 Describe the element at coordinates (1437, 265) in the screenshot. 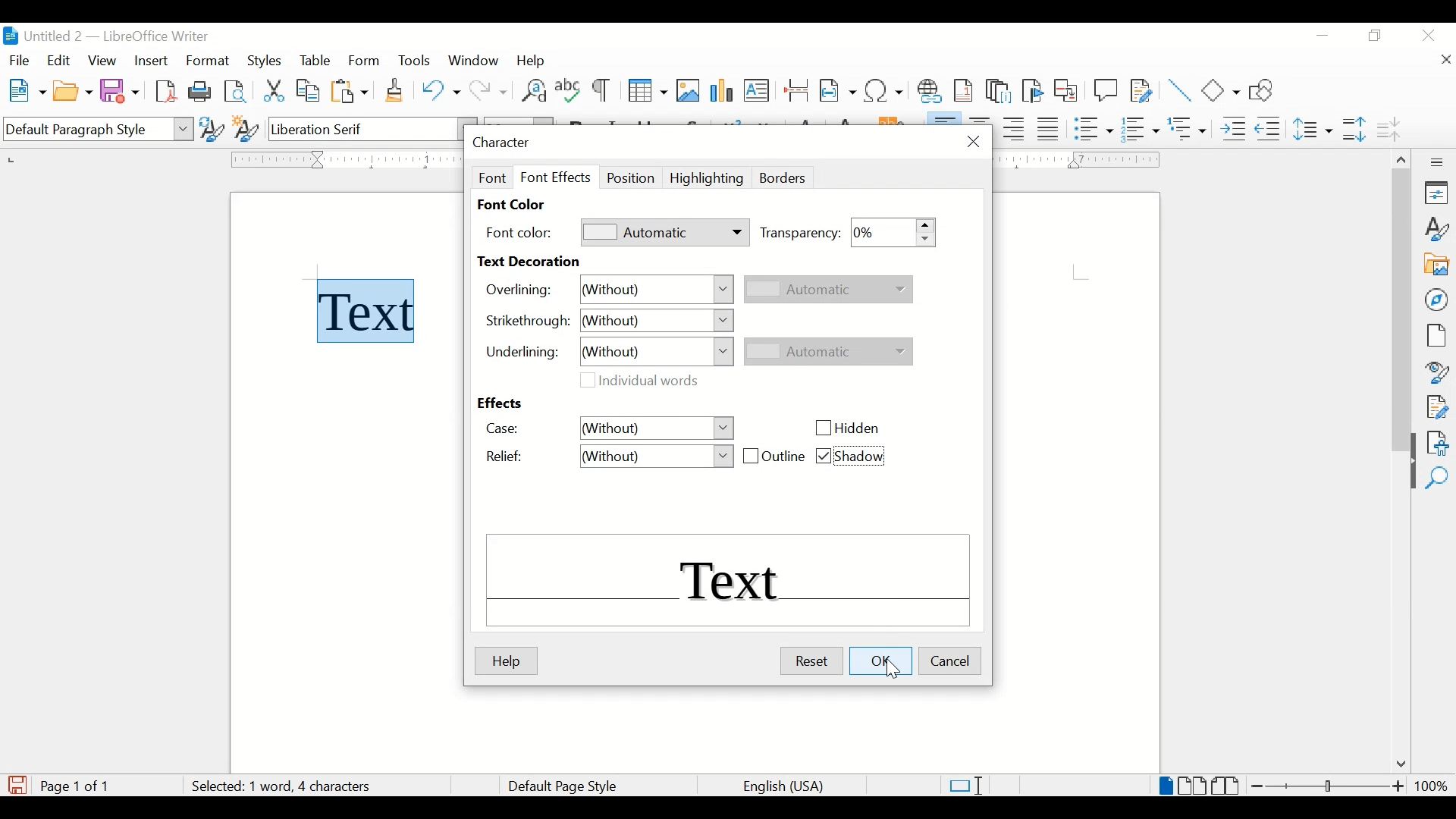

I see `gallery` at that location.